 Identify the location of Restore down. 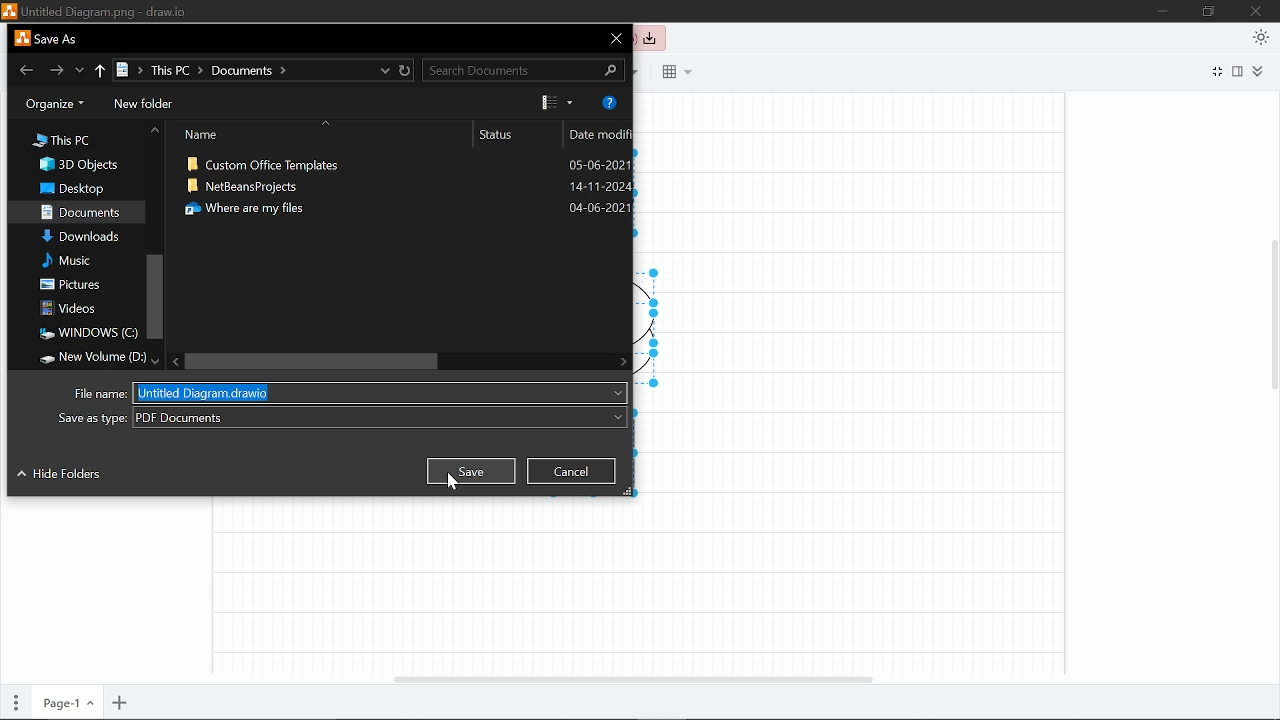
(1207, 12).